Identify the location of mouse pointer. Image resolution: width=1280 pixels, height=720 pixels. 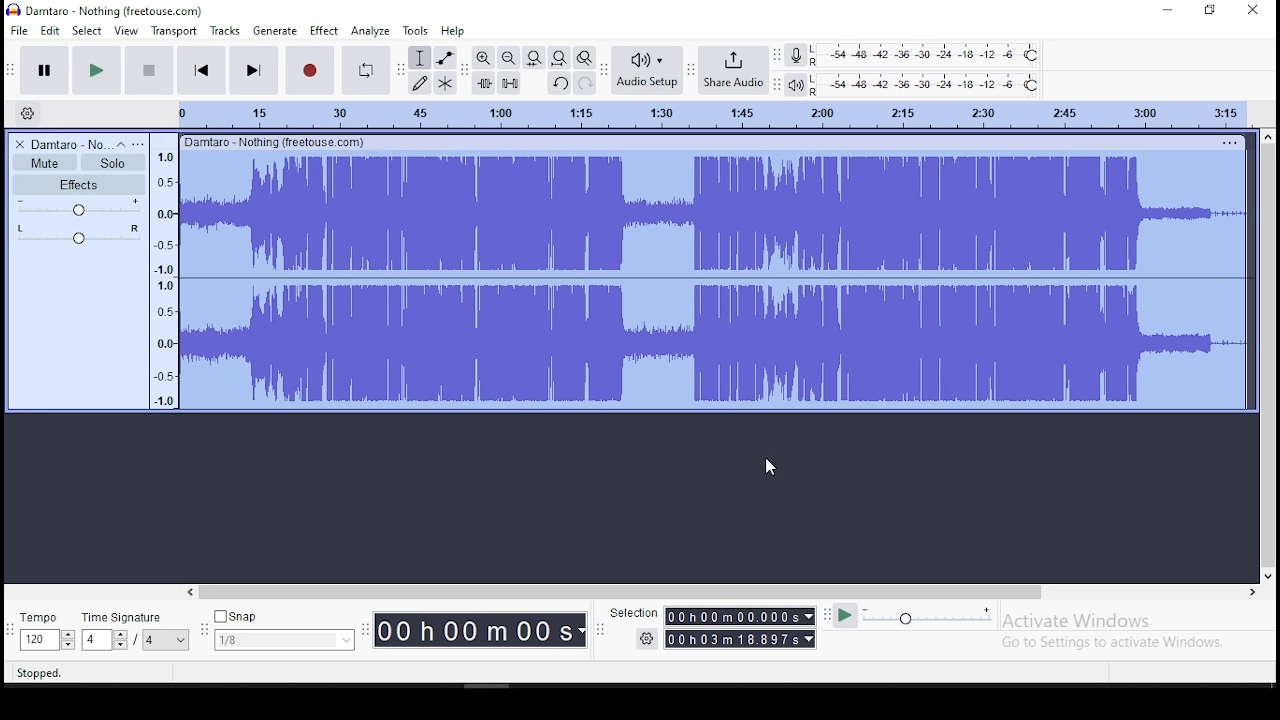
(771, 467).